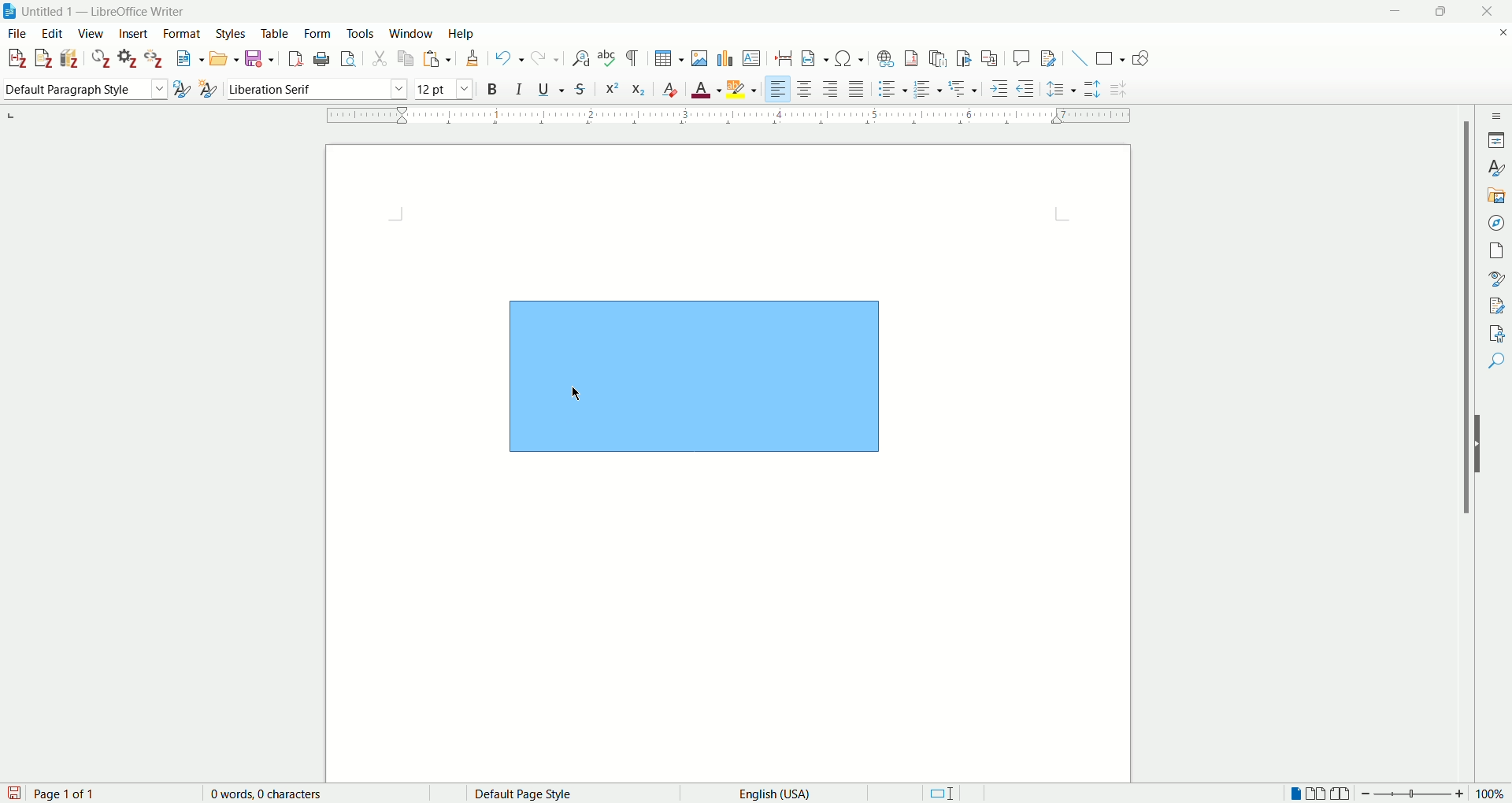 This screenshot has width=1512, height=803. Describe the element at coordinates (730, 115) in the screenshot. I see `ruler` at that location.